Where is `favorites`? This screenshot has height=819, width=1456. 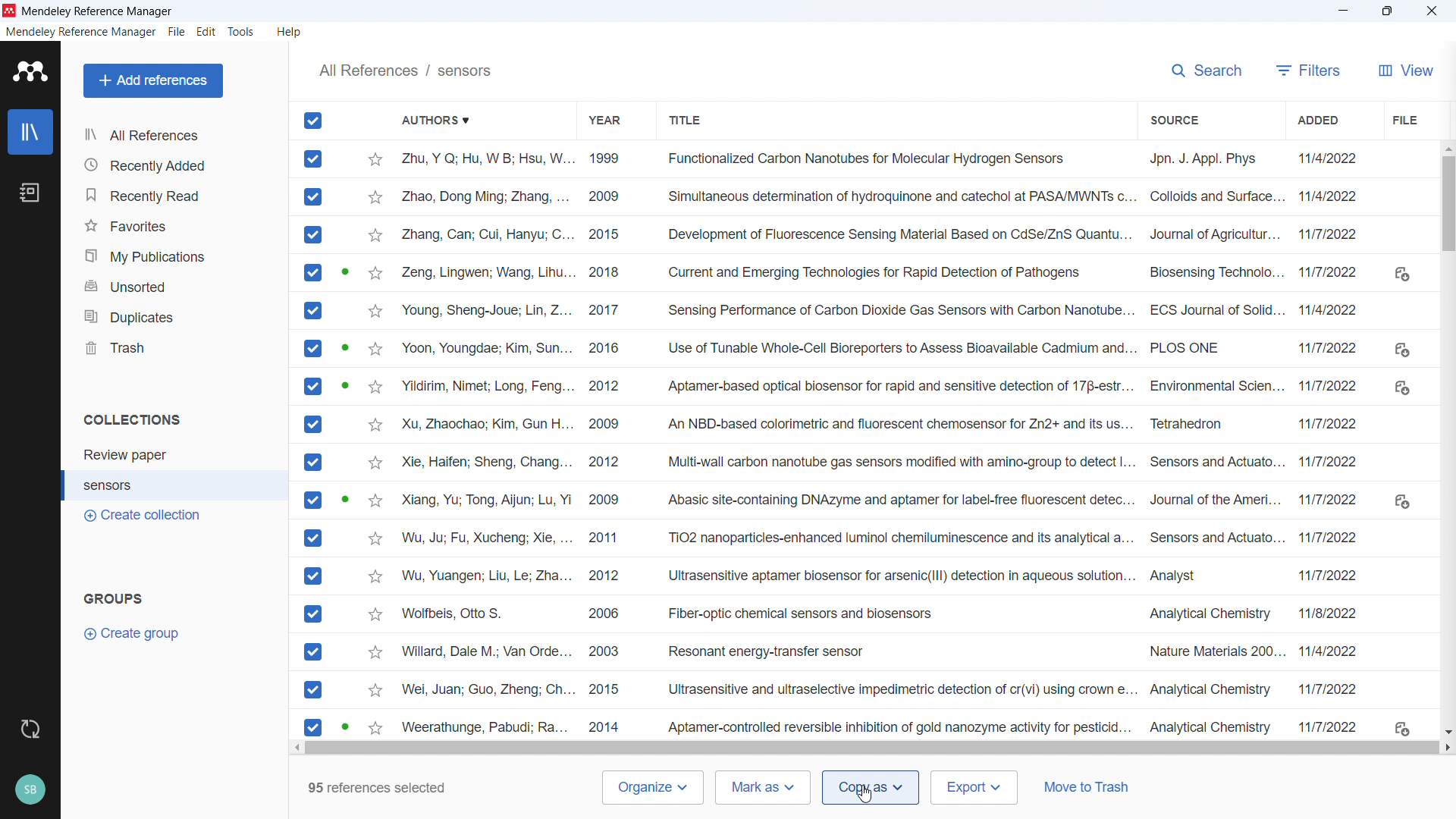
favorites is located at coordinates (175, 226).